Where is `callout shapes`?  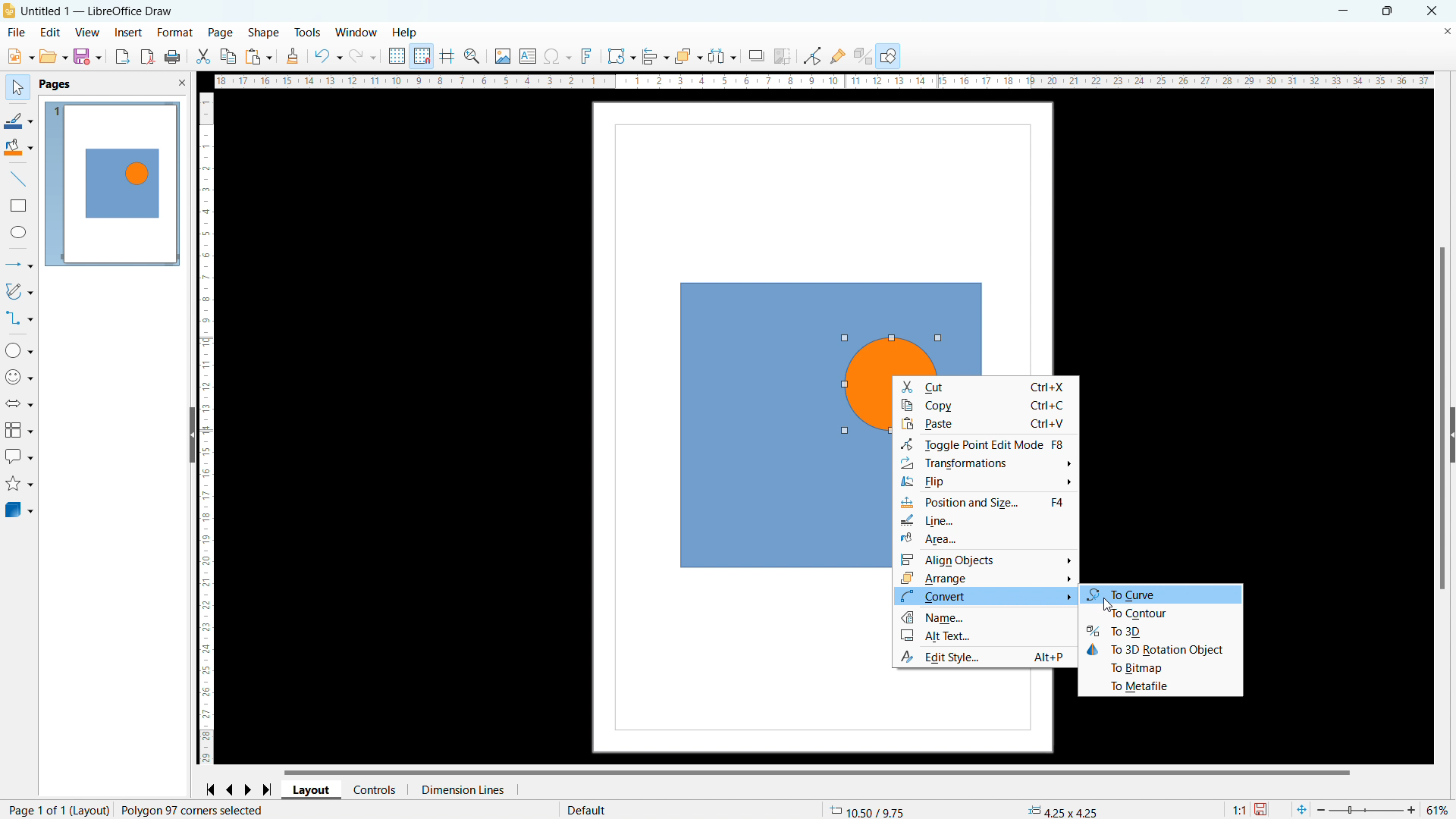 callout shapes is located at coordinates (19, 455).